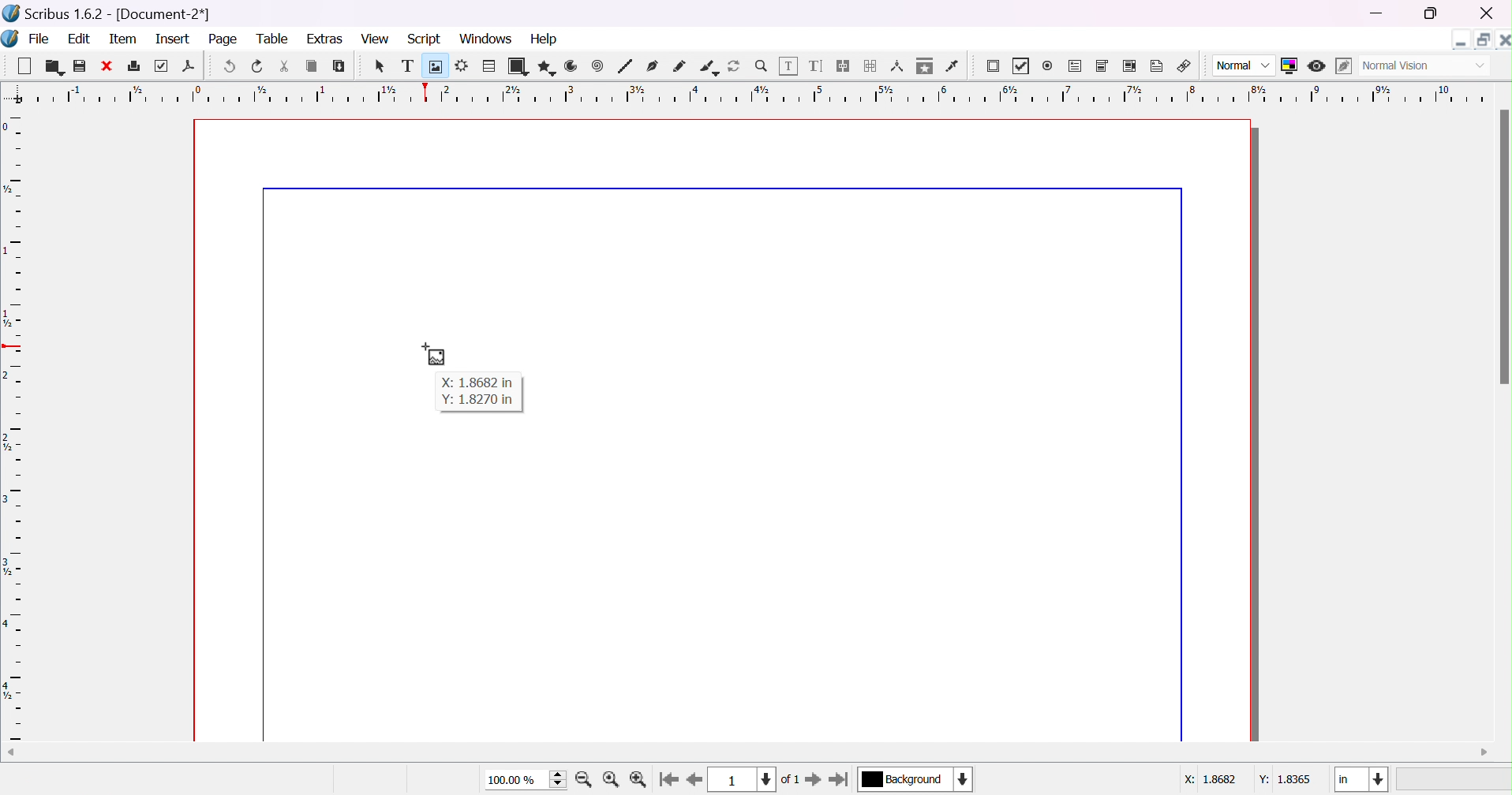  What do you see at coordinates (612, 780) in the screenshot?
I see `zoom to 100%` at bounding box center [612, 780].